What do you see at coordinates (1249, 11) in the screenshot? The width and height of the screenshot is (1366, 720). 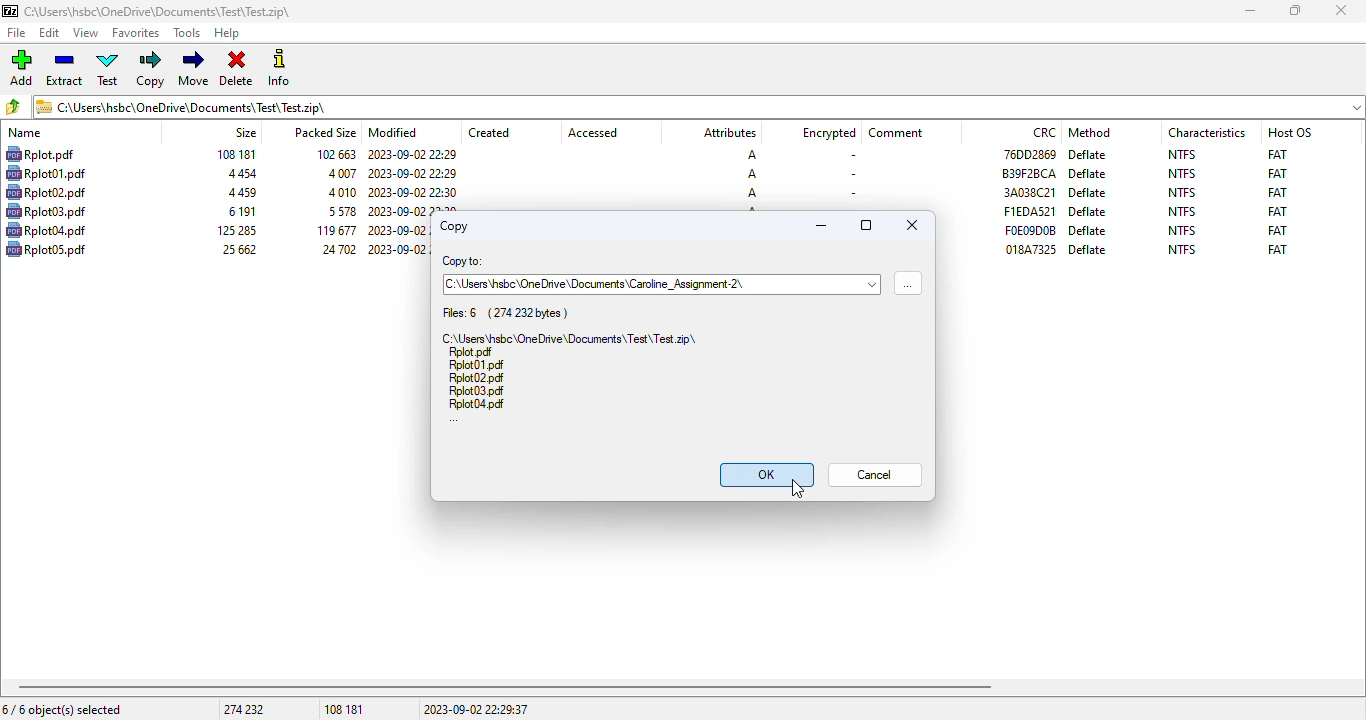 I see `minimize` at bounding box center [1249, 11].